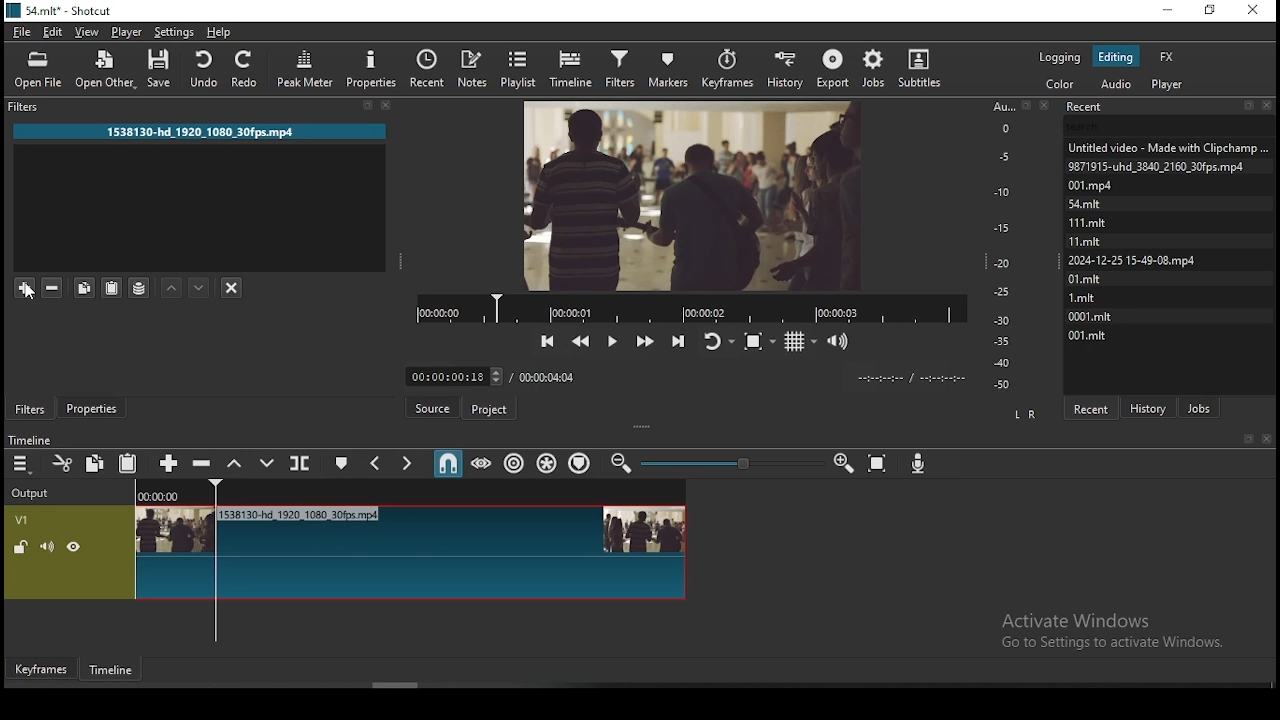  What do you see at coordinates (685, 197) in the screenshot?
I see `video preview` at bounding box center [685, 197].